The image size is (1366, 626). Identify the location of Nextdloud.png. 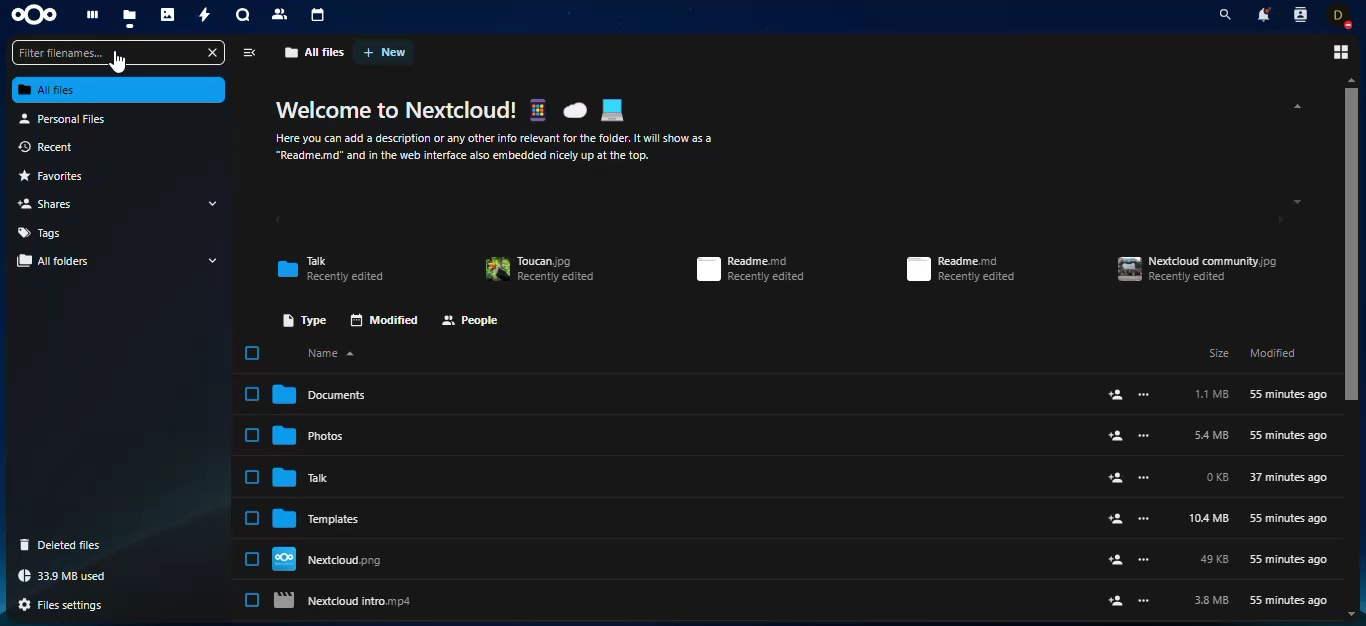
(682, 558).